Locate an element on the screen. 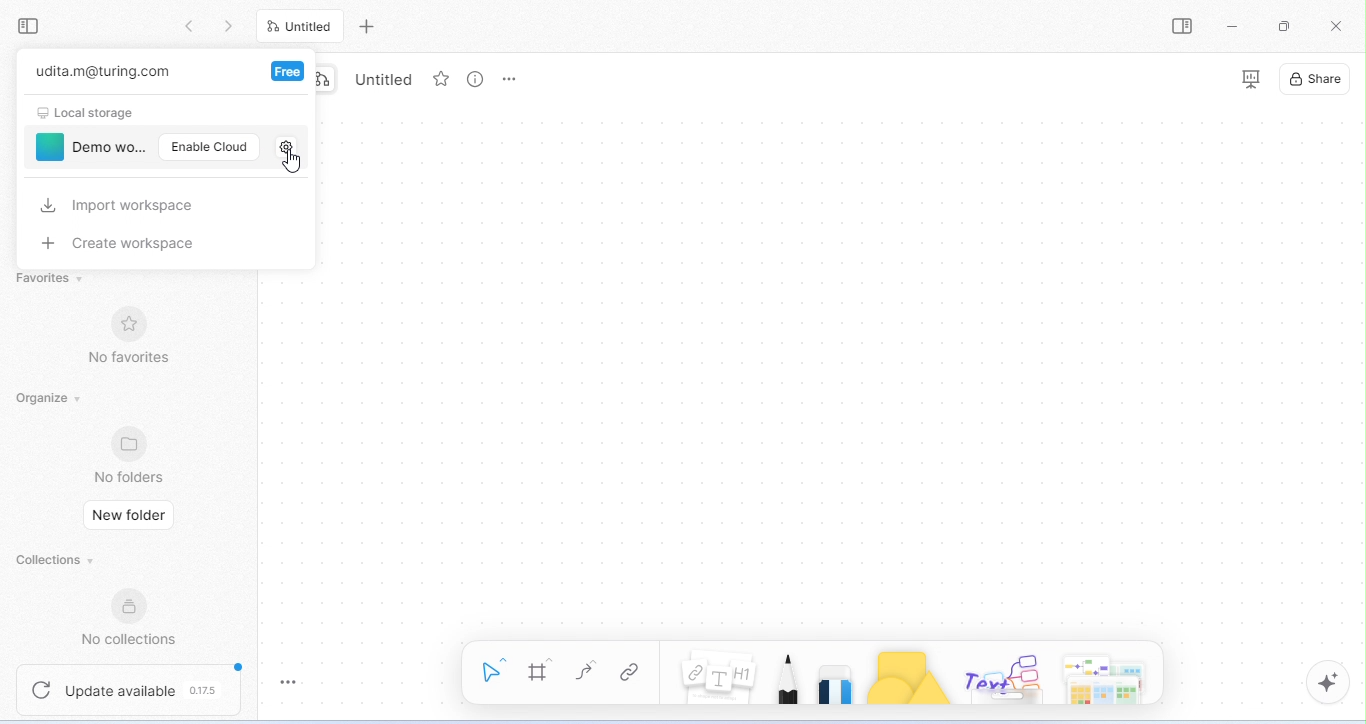  pencil is located at coordinates (790, 676).